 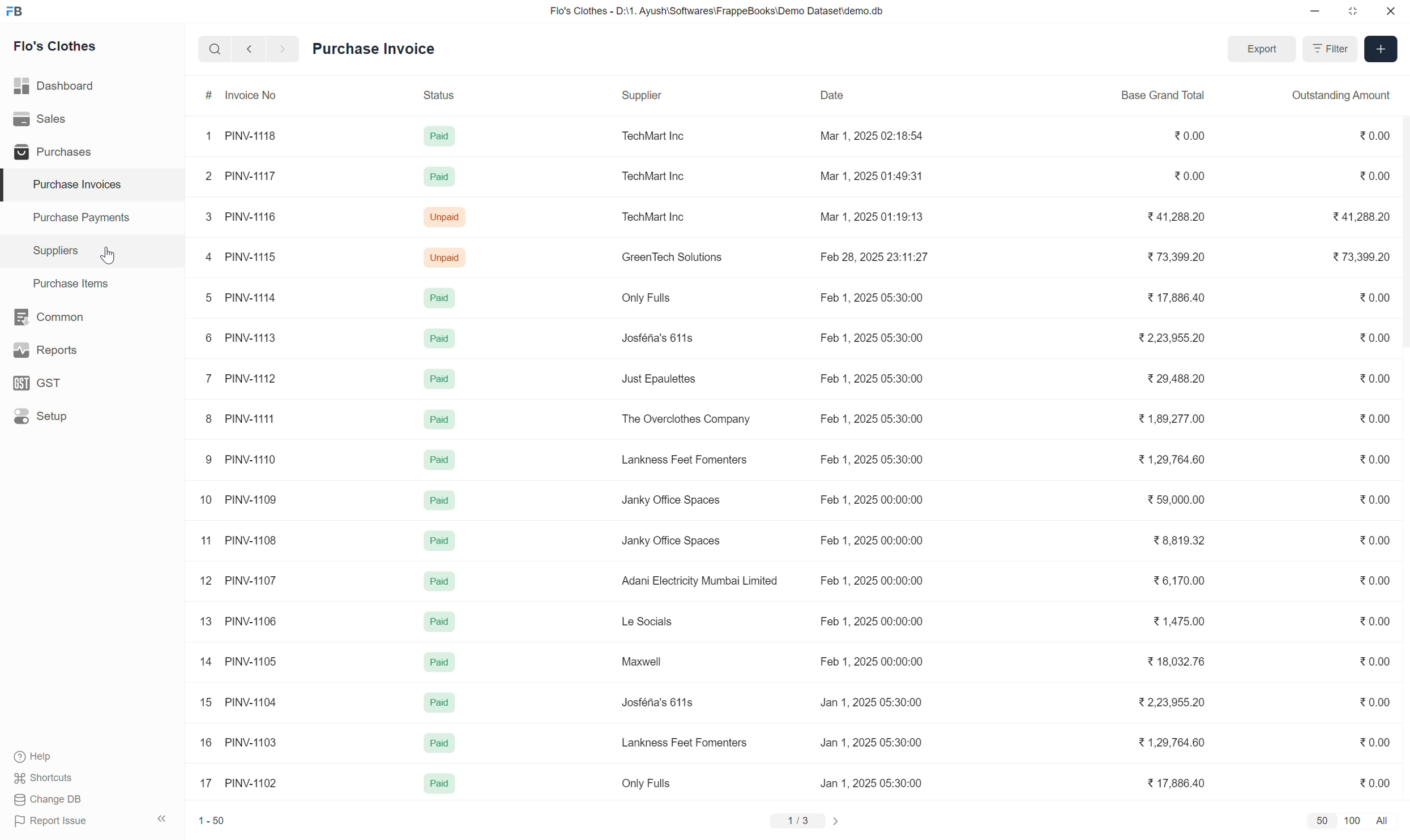 What do you see at coordinates (45, 417) in the screenshot?
I see `Setup` at bounding box center [45, 417].